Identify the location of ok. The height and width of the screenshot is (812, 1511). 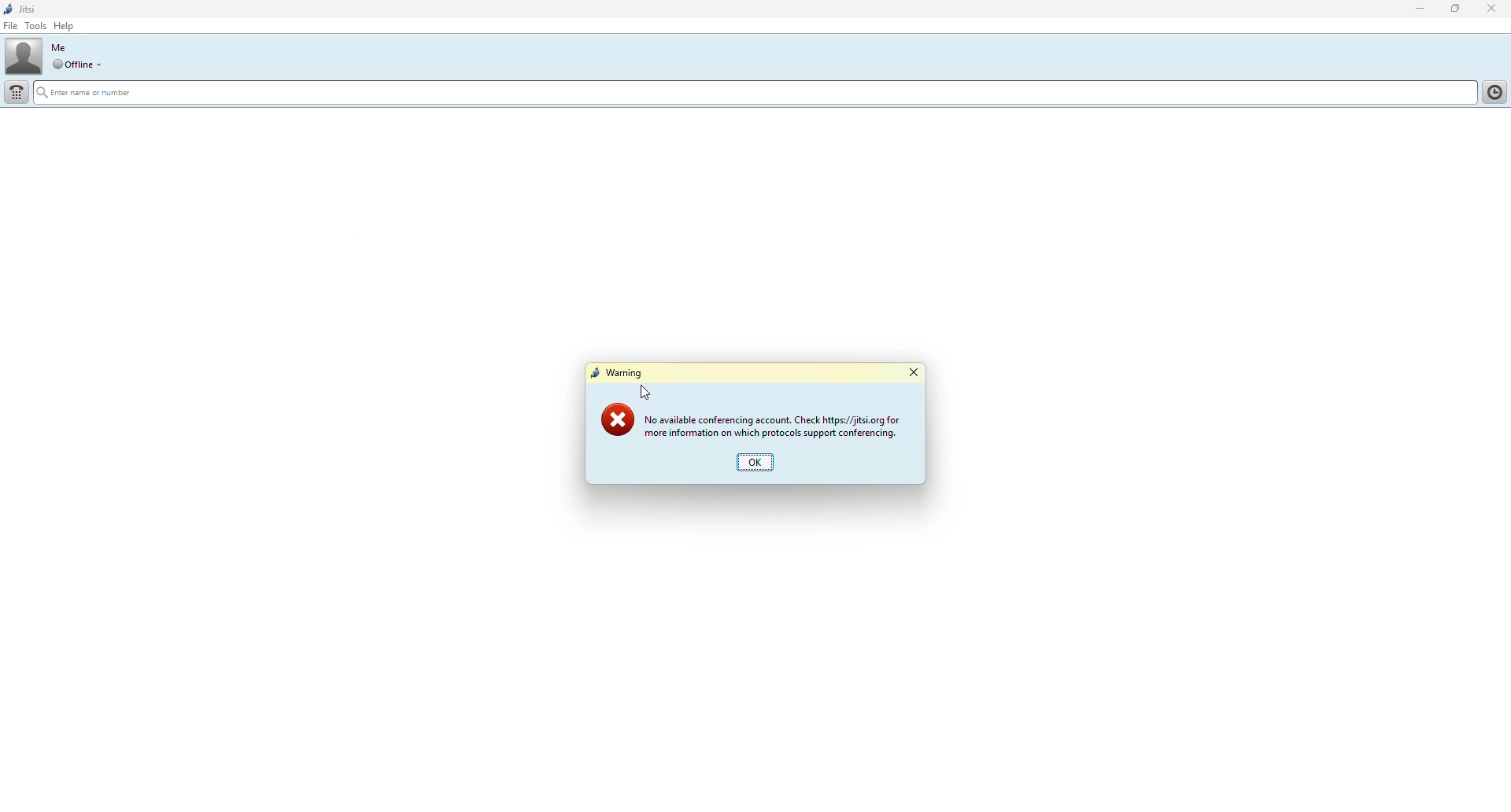
(755, 463).